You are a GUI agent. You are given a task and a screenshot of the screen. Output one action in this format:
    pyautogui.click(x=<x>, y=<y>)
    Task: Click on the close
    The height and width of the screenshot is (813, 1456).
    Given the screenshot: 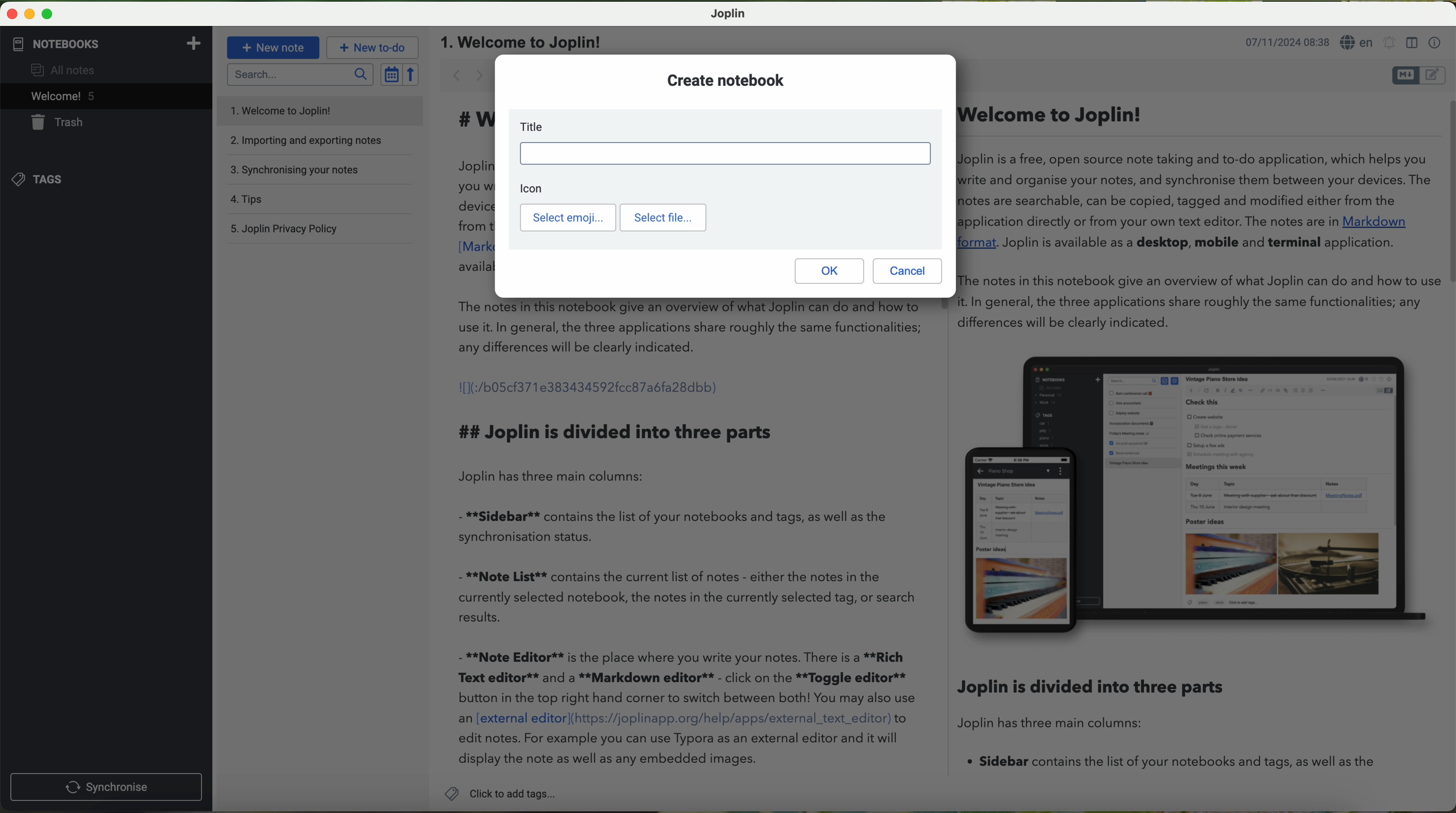 What is the action you would take?
    pyautogui.click(x=13, y=14)
    